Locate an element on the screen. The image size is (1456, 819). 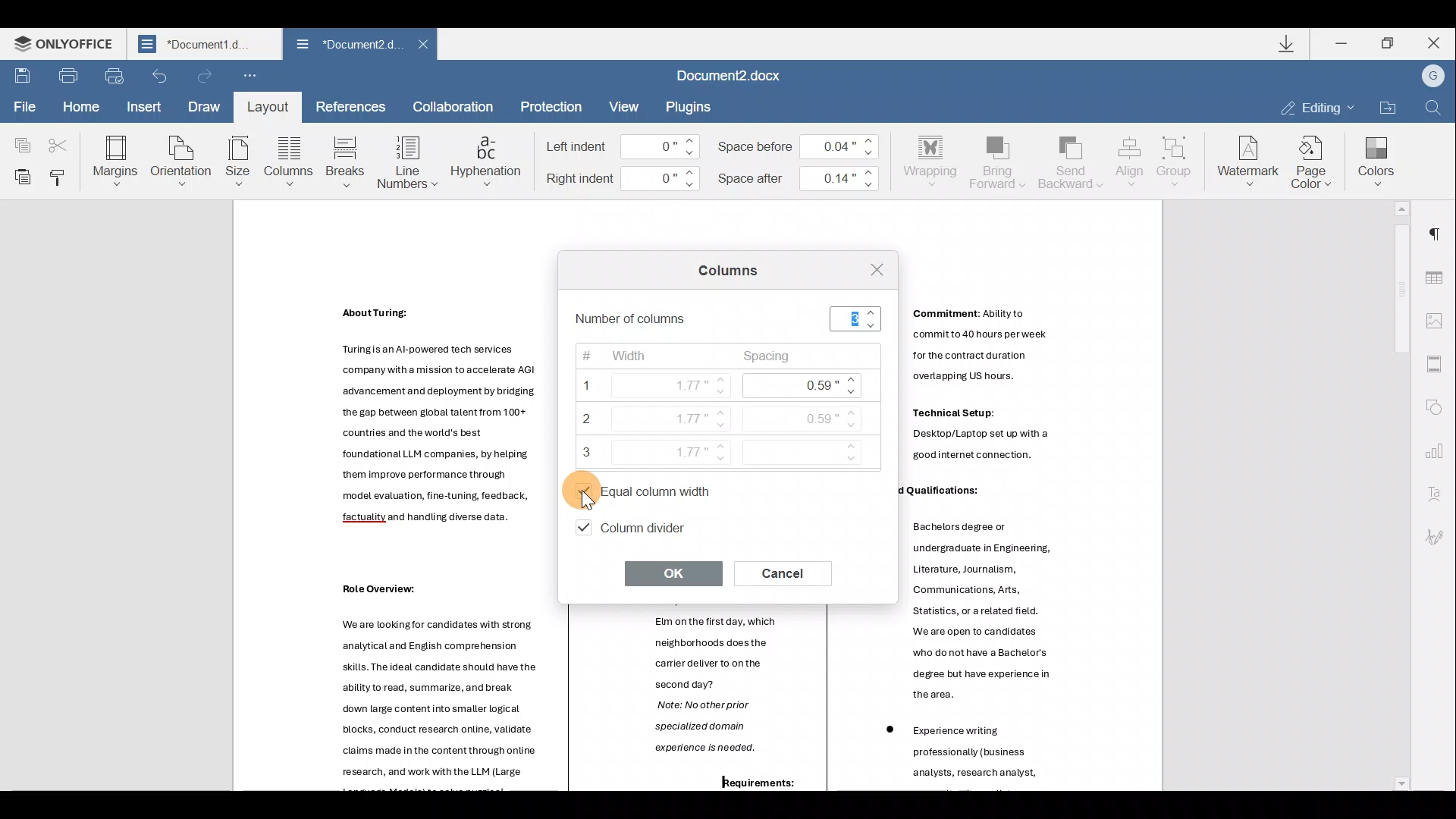
Print file is located at coordinates (67, 75).